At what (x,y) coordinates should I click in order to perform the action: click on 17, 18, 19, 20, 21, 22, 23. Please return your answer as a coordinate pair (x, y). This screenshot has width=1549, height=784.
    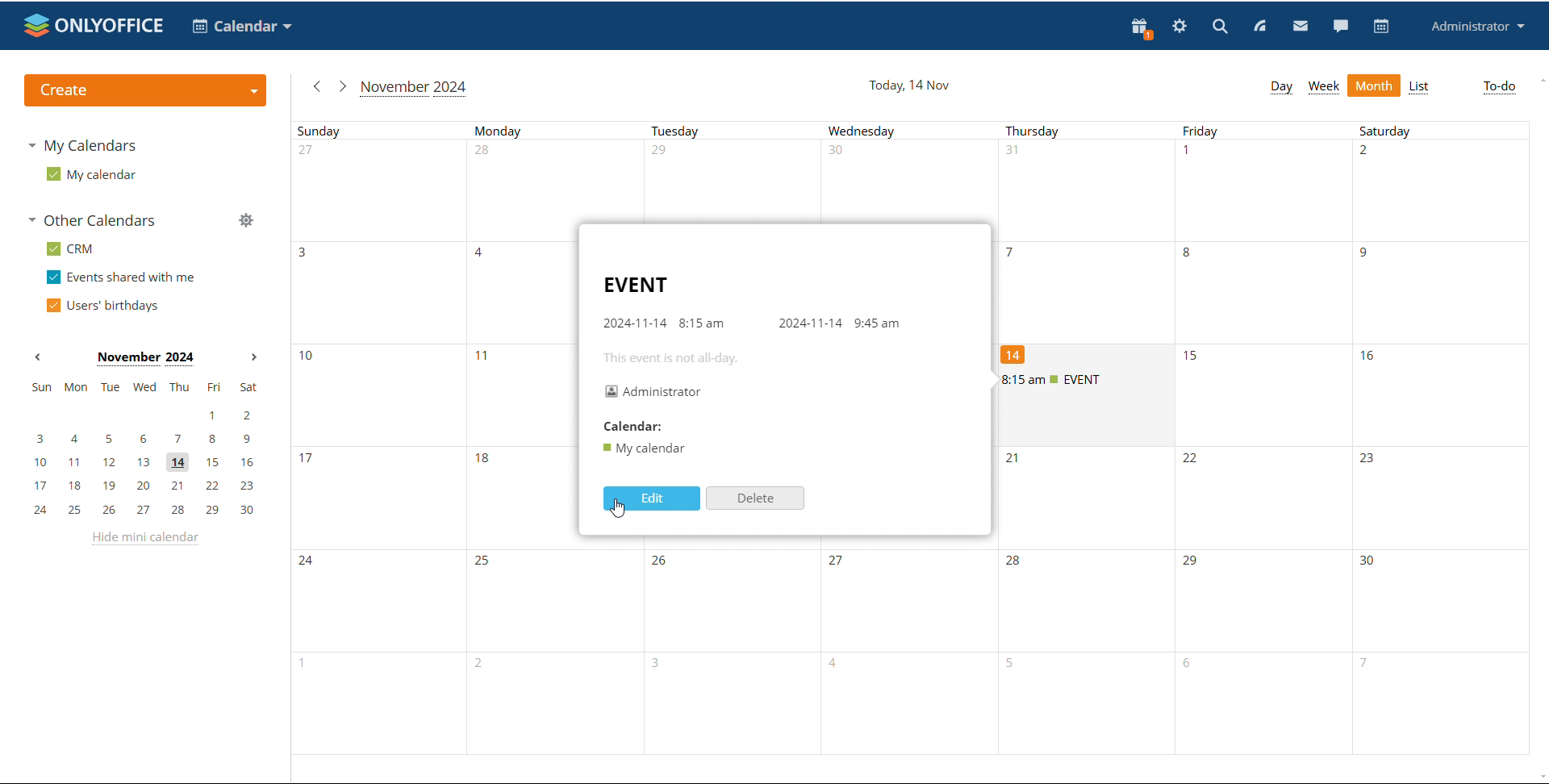
    Looking at the image, I should click on (144, 486).